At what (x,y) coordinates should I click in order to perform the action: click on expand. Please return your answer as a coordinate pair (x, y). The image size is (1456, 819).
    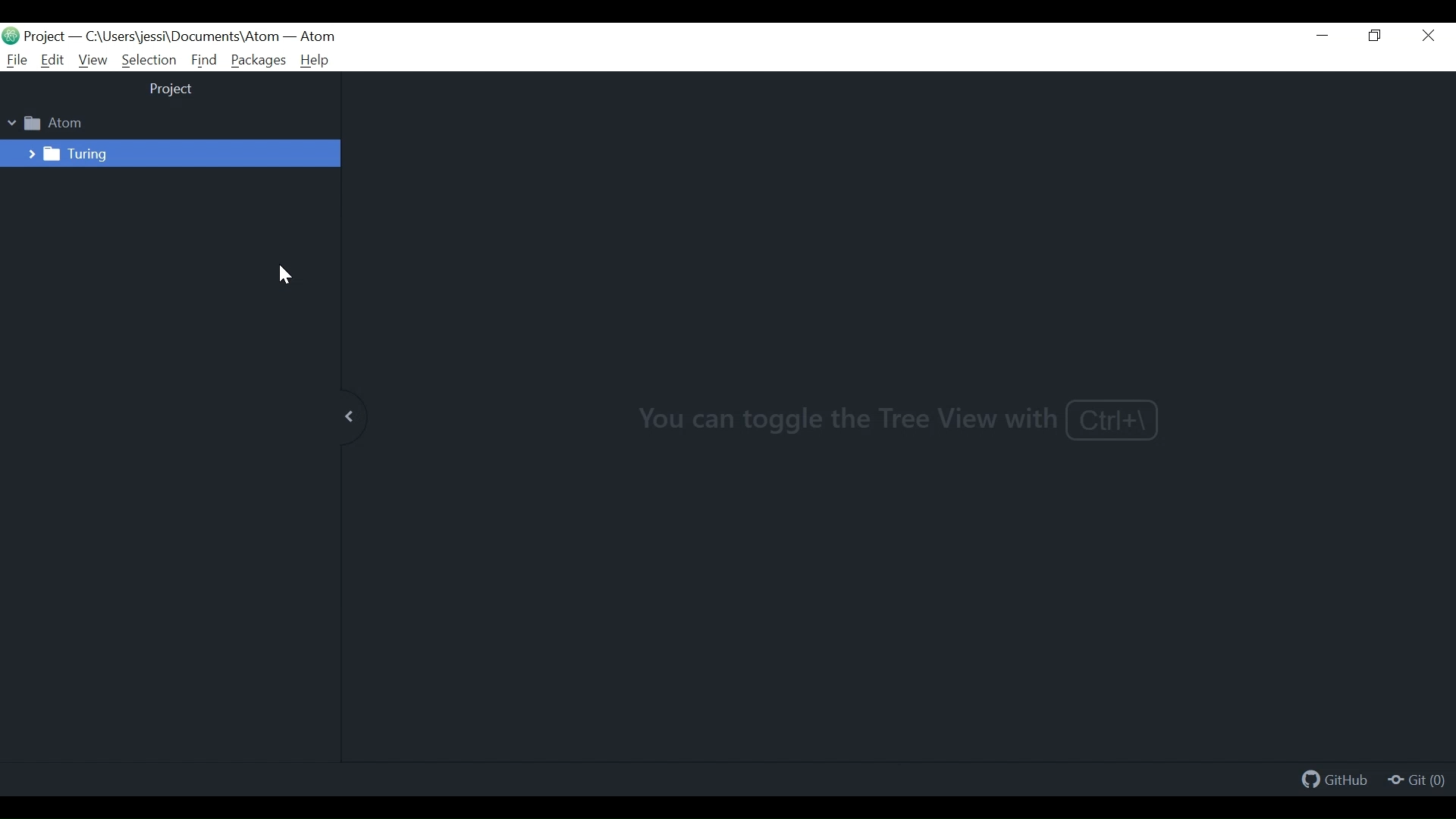
    Looking at the image, I should click on (347, 419).